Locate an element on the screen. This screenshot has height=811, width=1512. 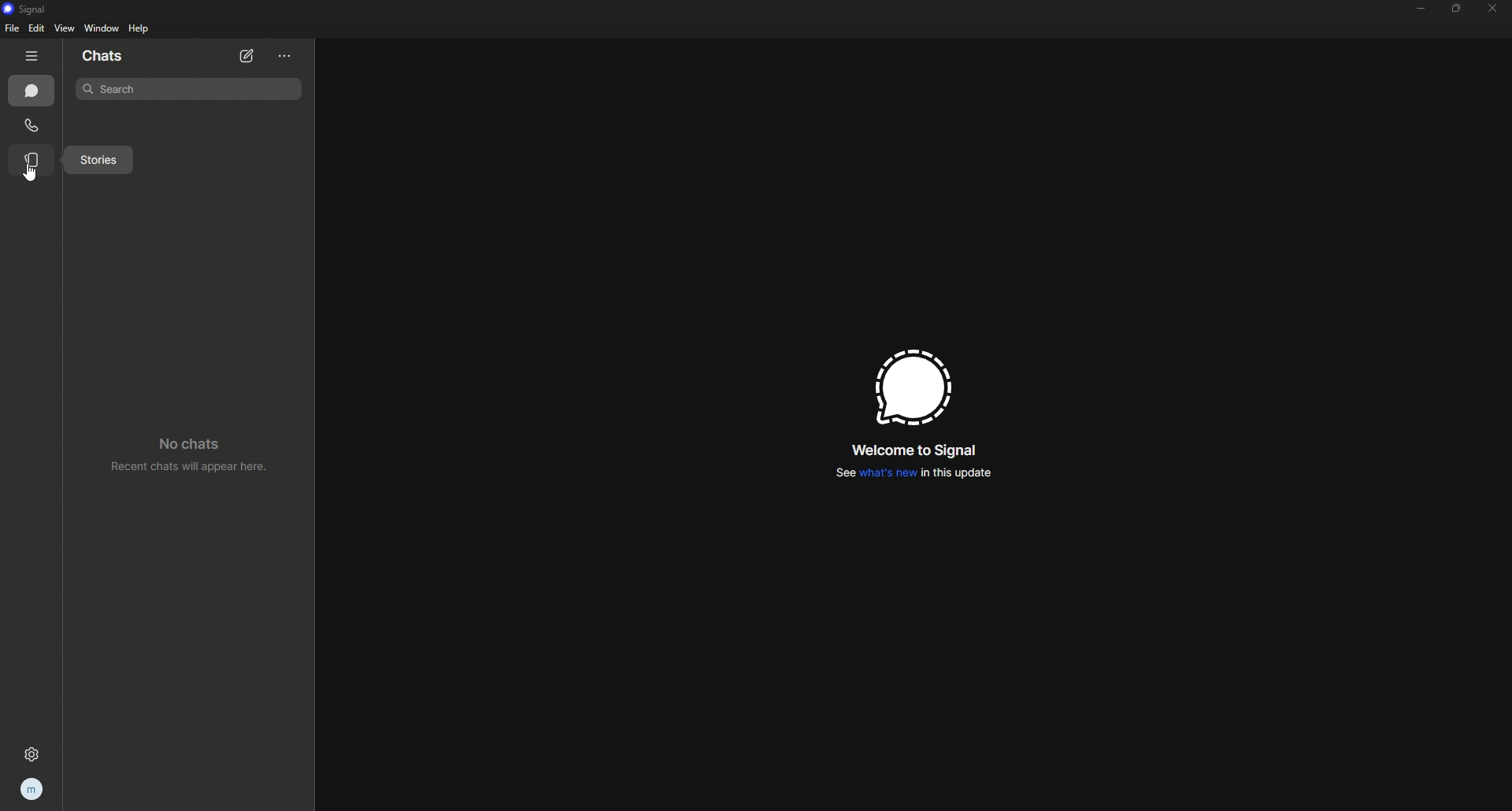
help is located at coordinates (140, 28).